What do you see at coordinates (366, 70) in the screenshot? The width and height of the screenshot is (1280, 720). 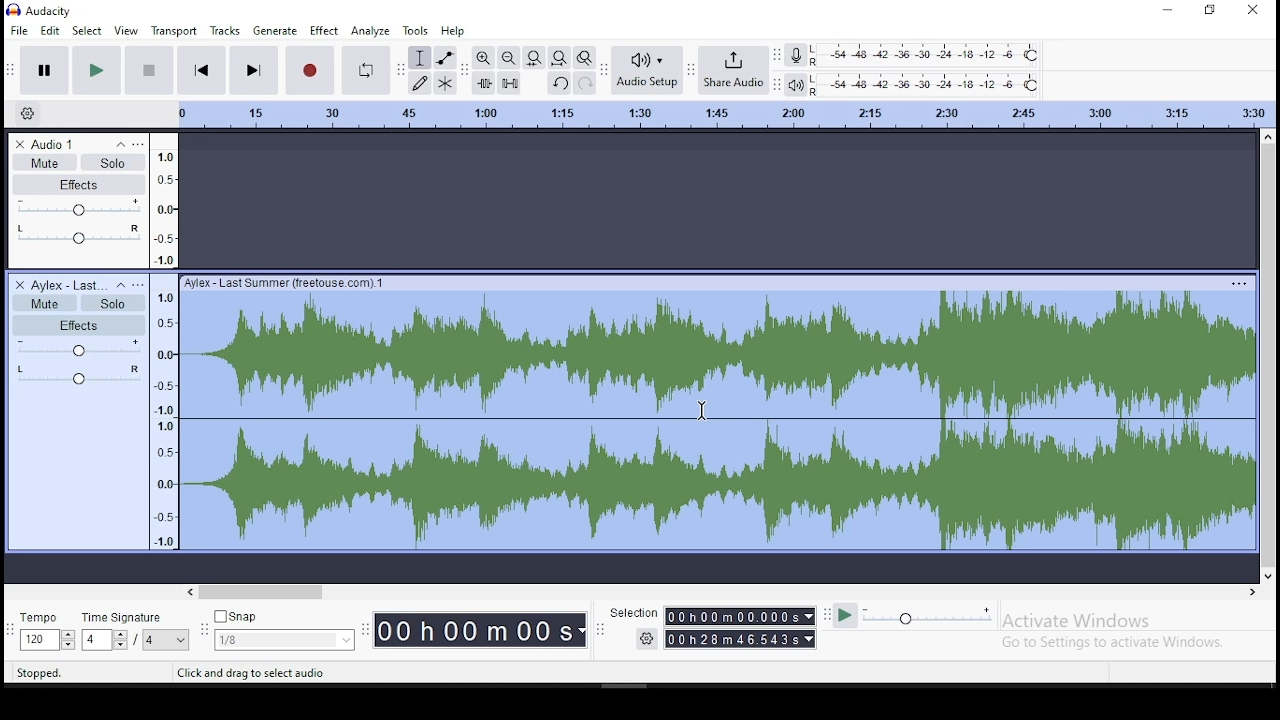 I see `enable looping` at bounding box center [366, 70].